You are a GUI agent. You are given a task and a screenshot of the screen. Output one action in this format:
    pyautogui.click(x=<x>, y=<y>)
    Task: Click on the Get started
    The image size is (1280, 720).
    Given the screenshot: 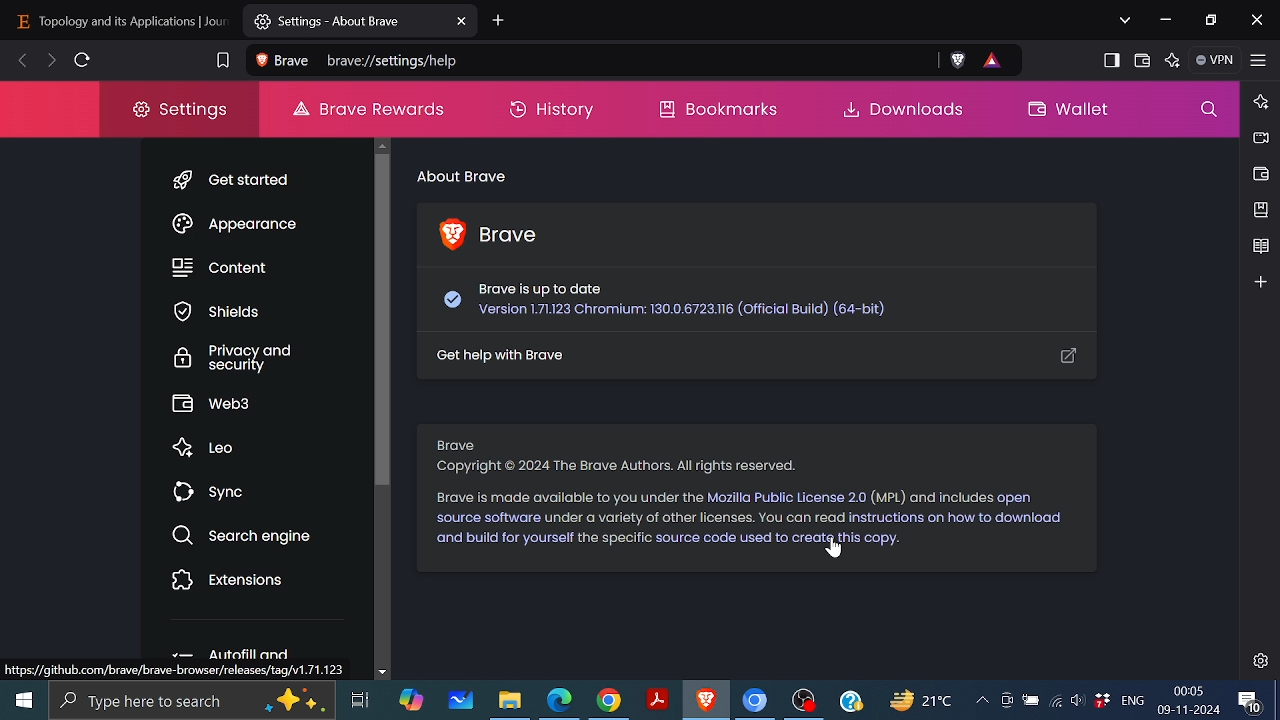 What is the action you would take?
    pyautogui.click(x=232, y=183)
    